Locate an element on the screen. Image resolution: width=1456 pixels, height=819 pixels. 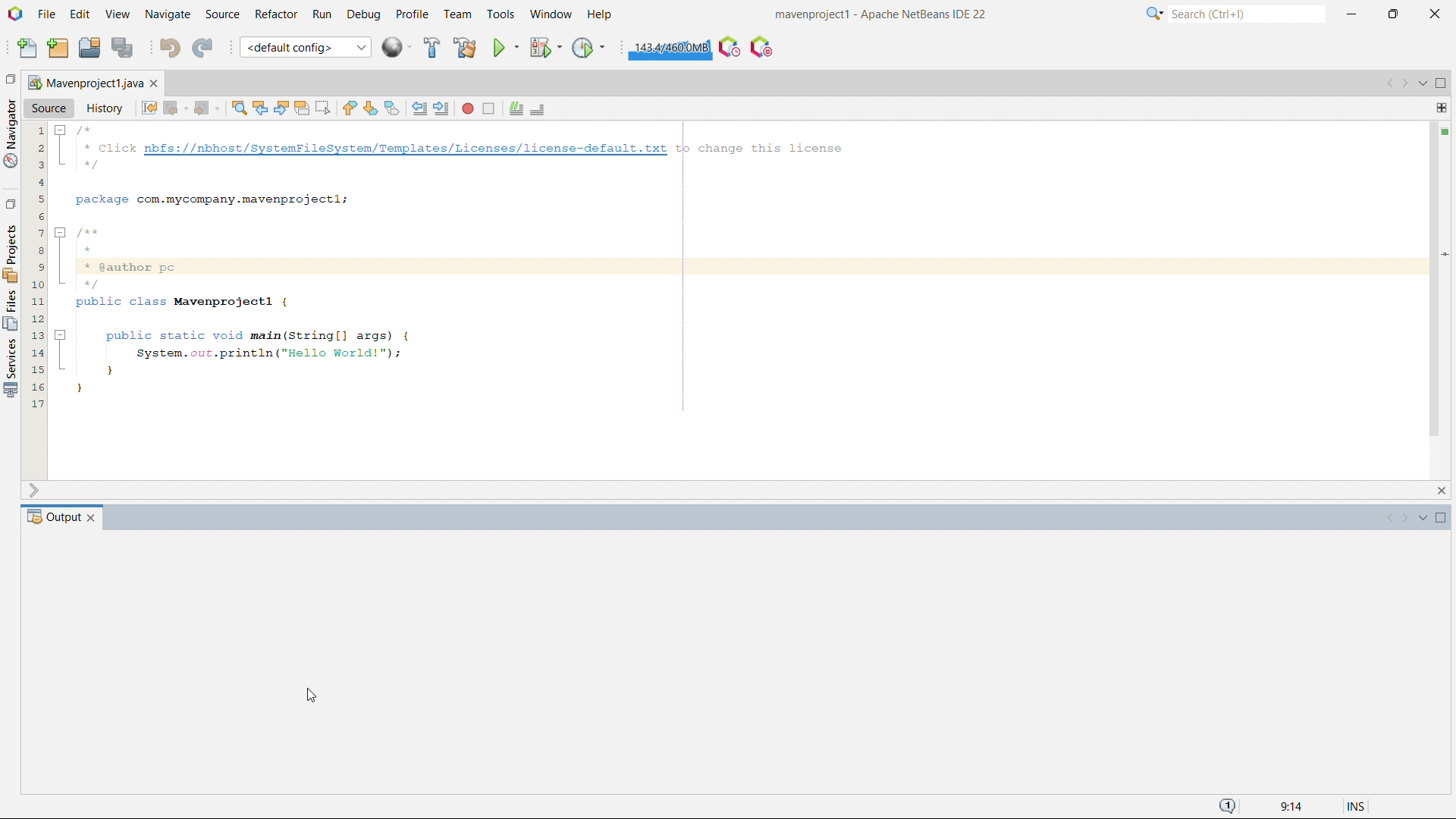
edit is located at coordinates (80, 14).